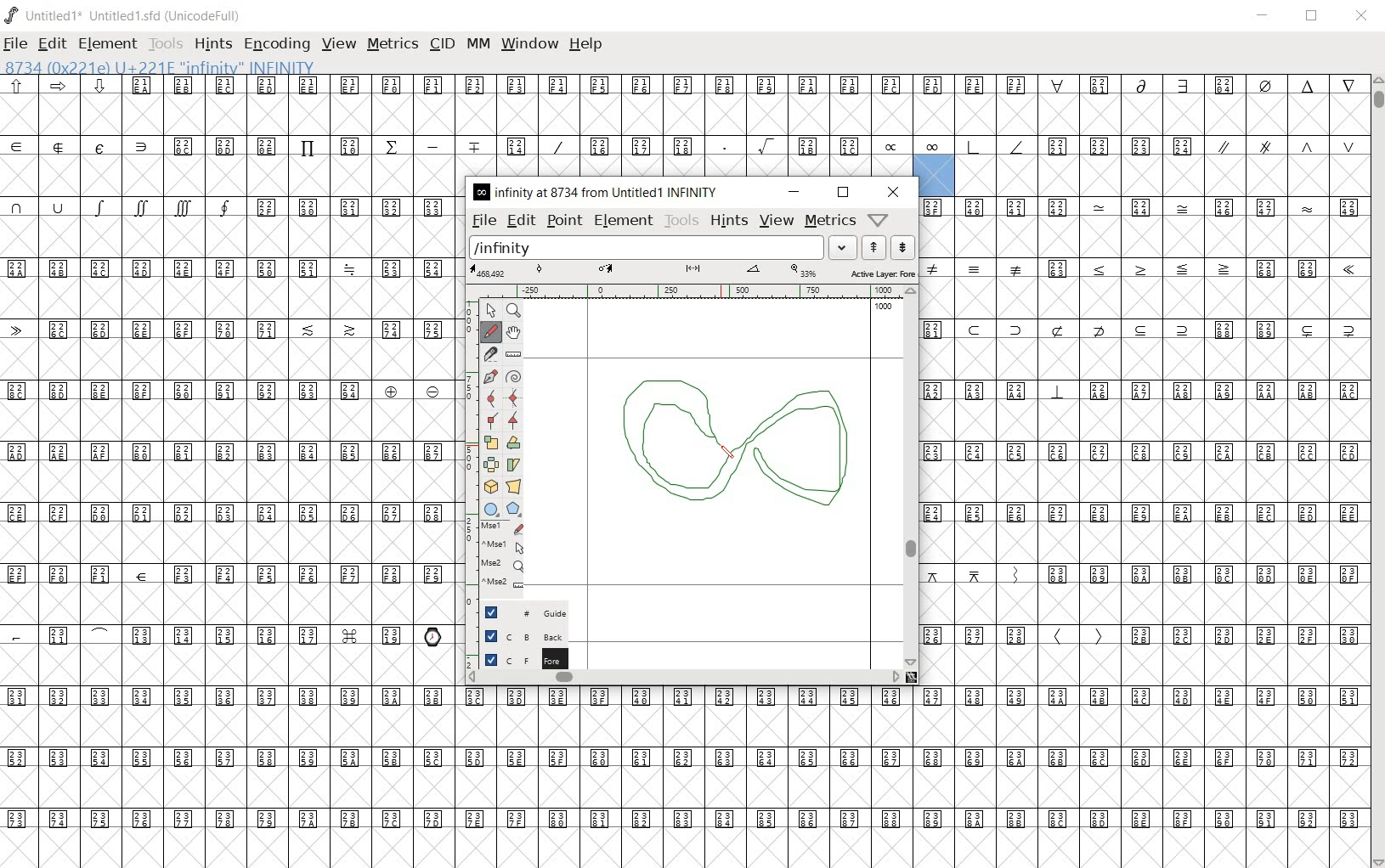 The height and width of the screenshot is (868, 1385). Describe the element at coordinates (624, 222) in the screenshot. I see `element` at that location.